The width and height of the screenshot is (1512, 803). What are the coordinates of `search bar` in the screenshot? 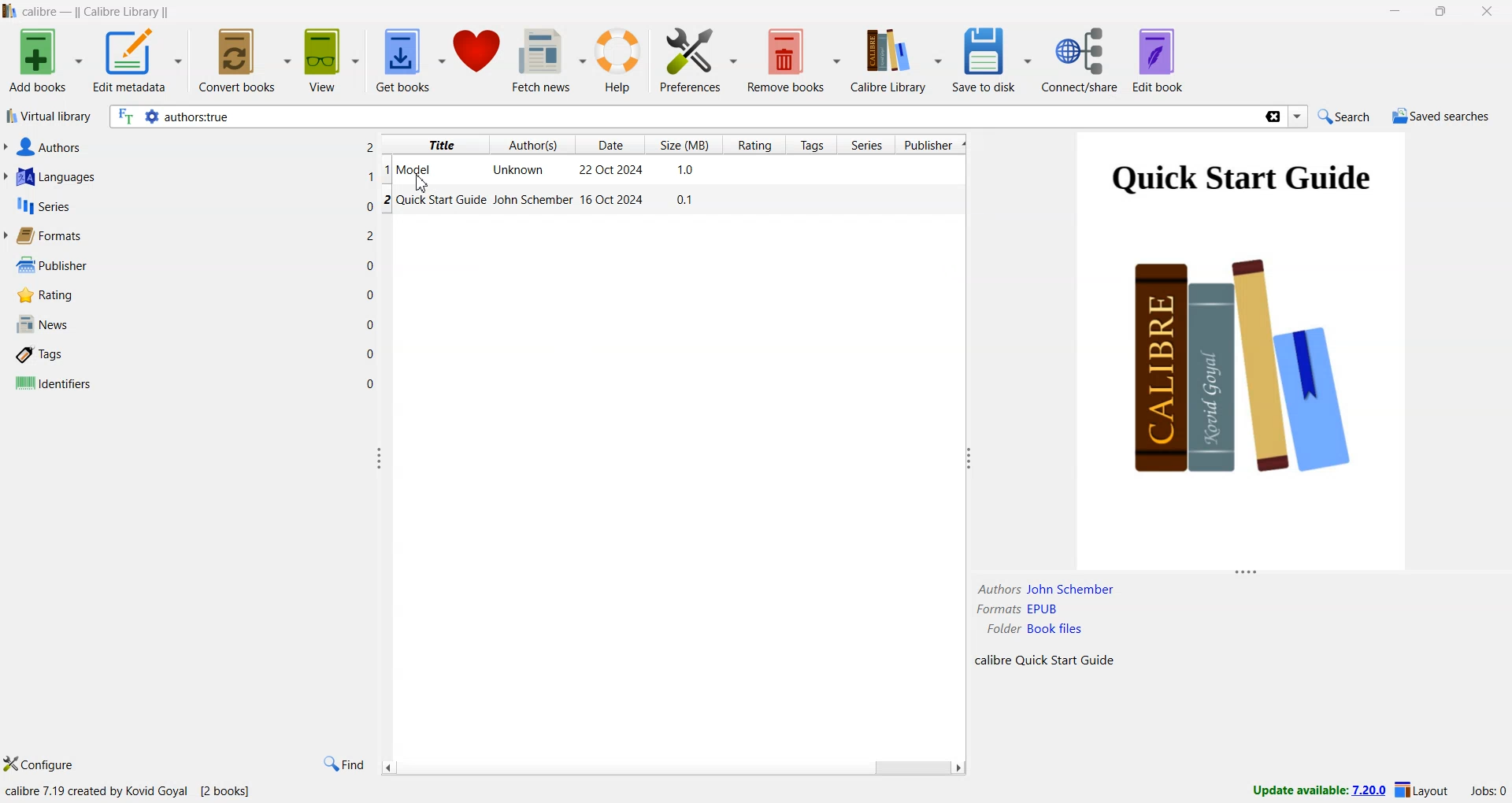 It's located at (684, 117).